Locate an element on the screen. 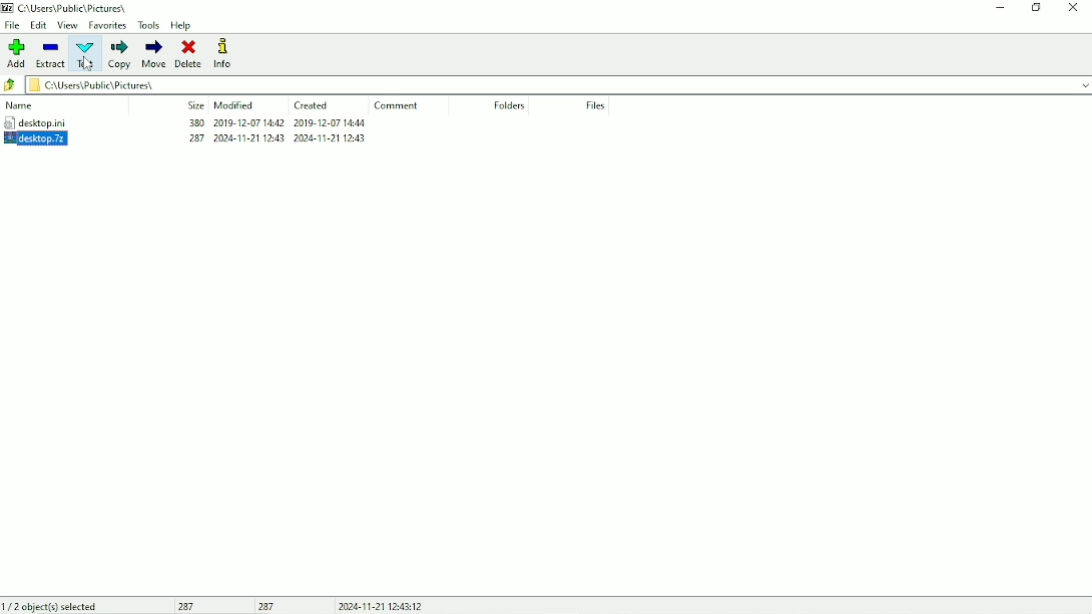 This screenshot has width=1092, height=614. Modified is located at coordinates (235, 105).